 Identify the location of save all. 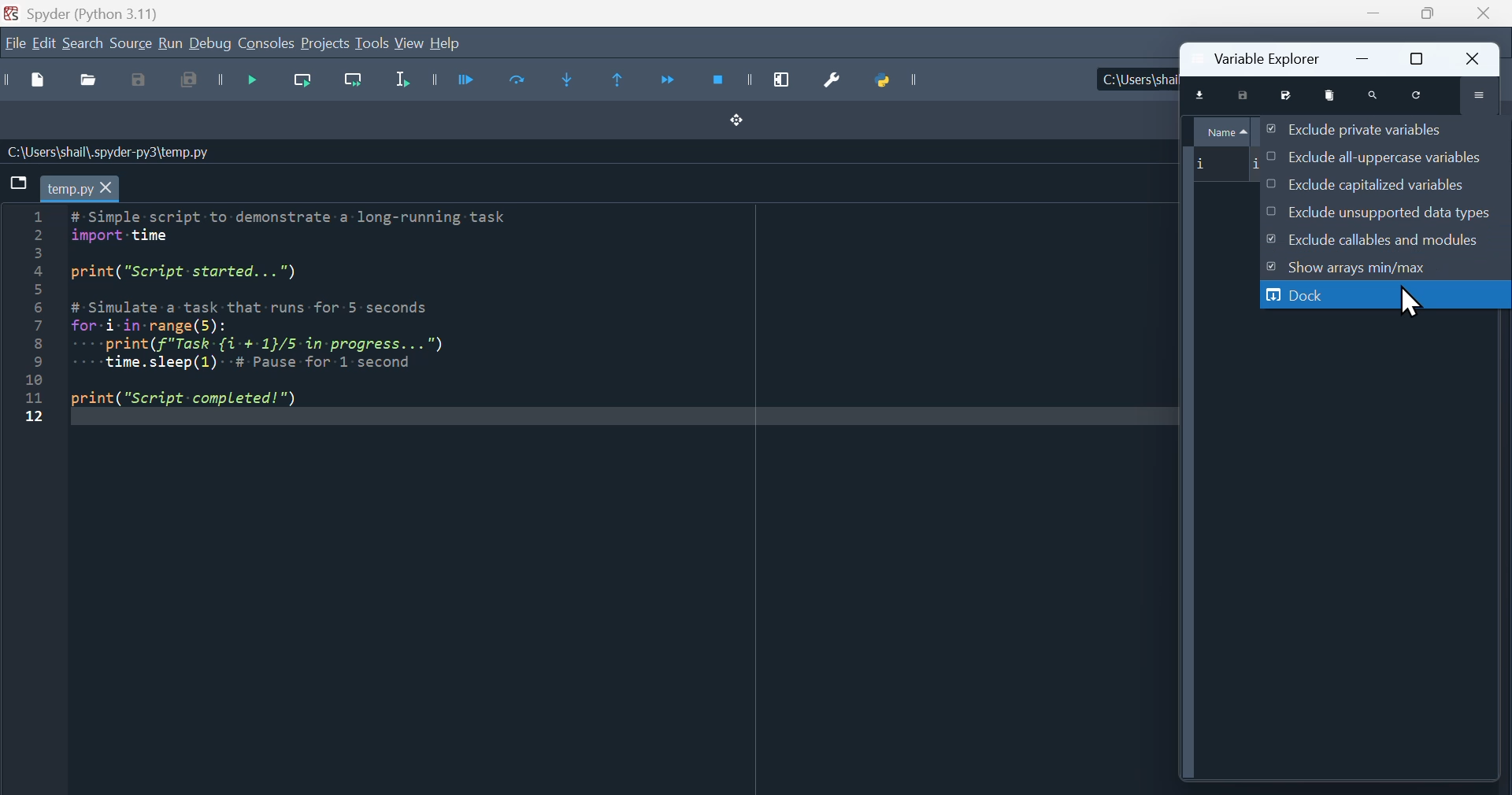
(191, 85).